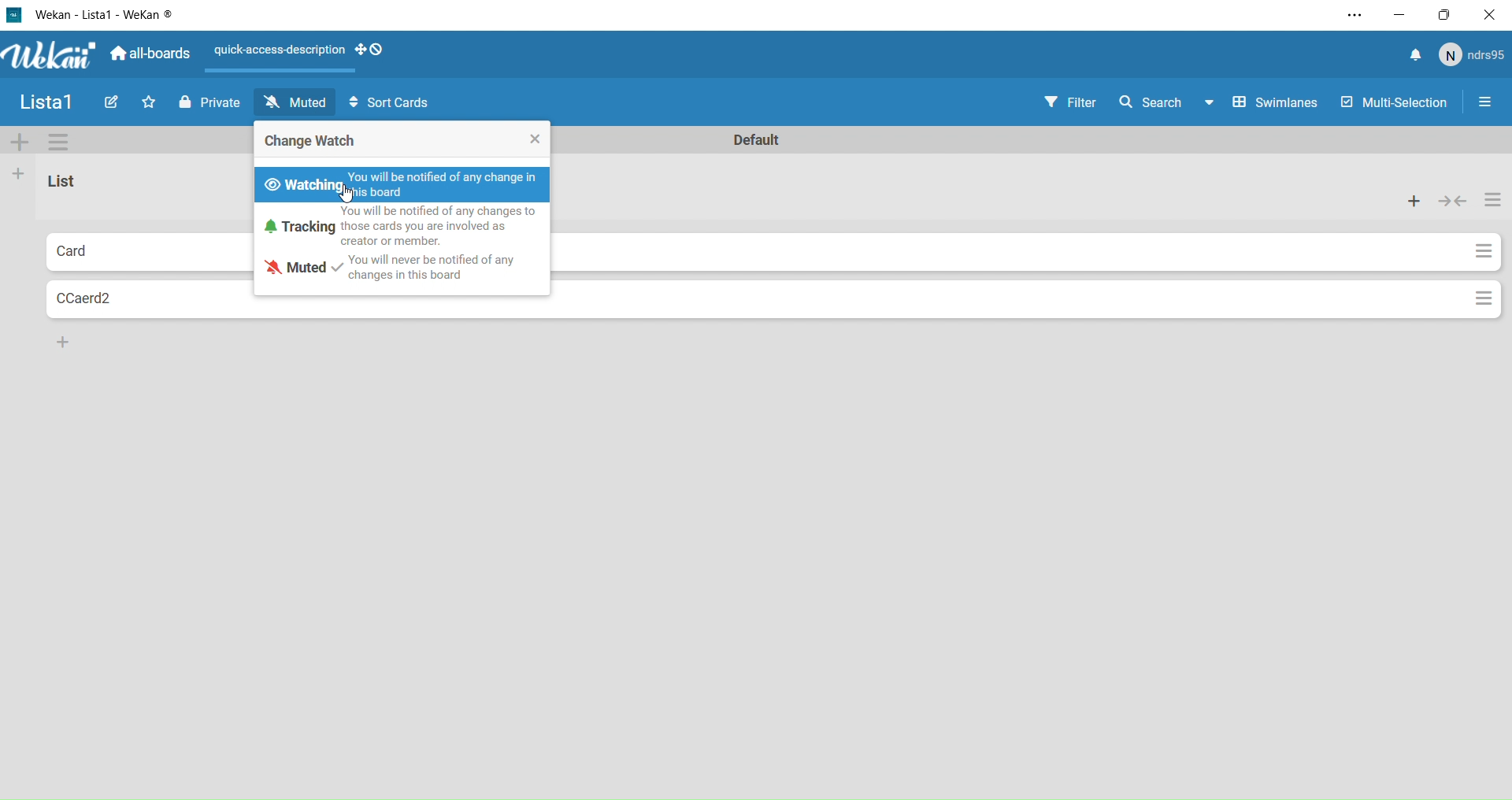 The height and width of the screenshot is (800, 1512). Describe the element at coordinates (46, 102) in the screenshot. I see `Name` at that location.